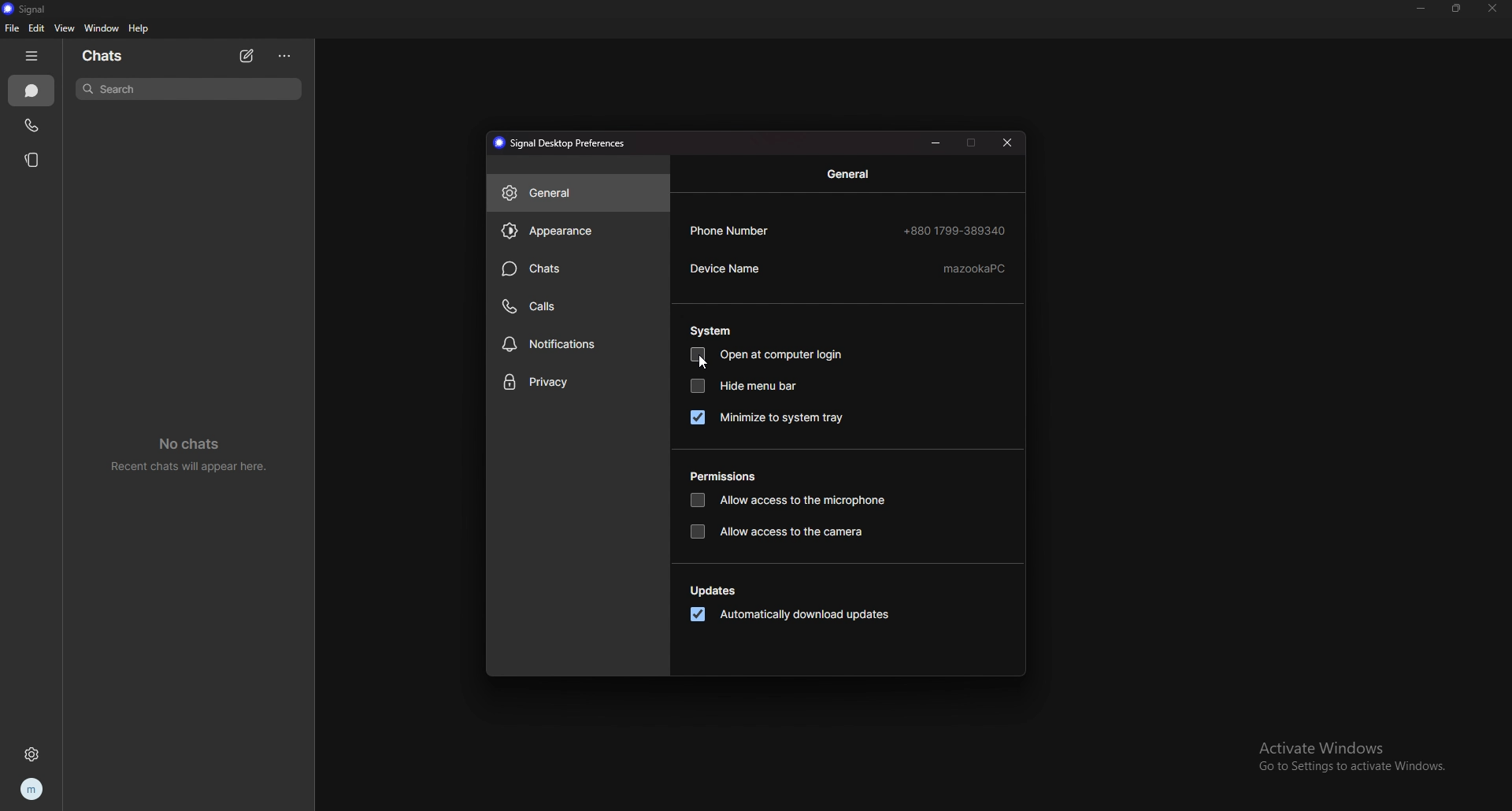 This screenshot has width=1512, height=811. Describe the element at coordinates (973, 142) in the screenshot. I see `maximize` at that location.